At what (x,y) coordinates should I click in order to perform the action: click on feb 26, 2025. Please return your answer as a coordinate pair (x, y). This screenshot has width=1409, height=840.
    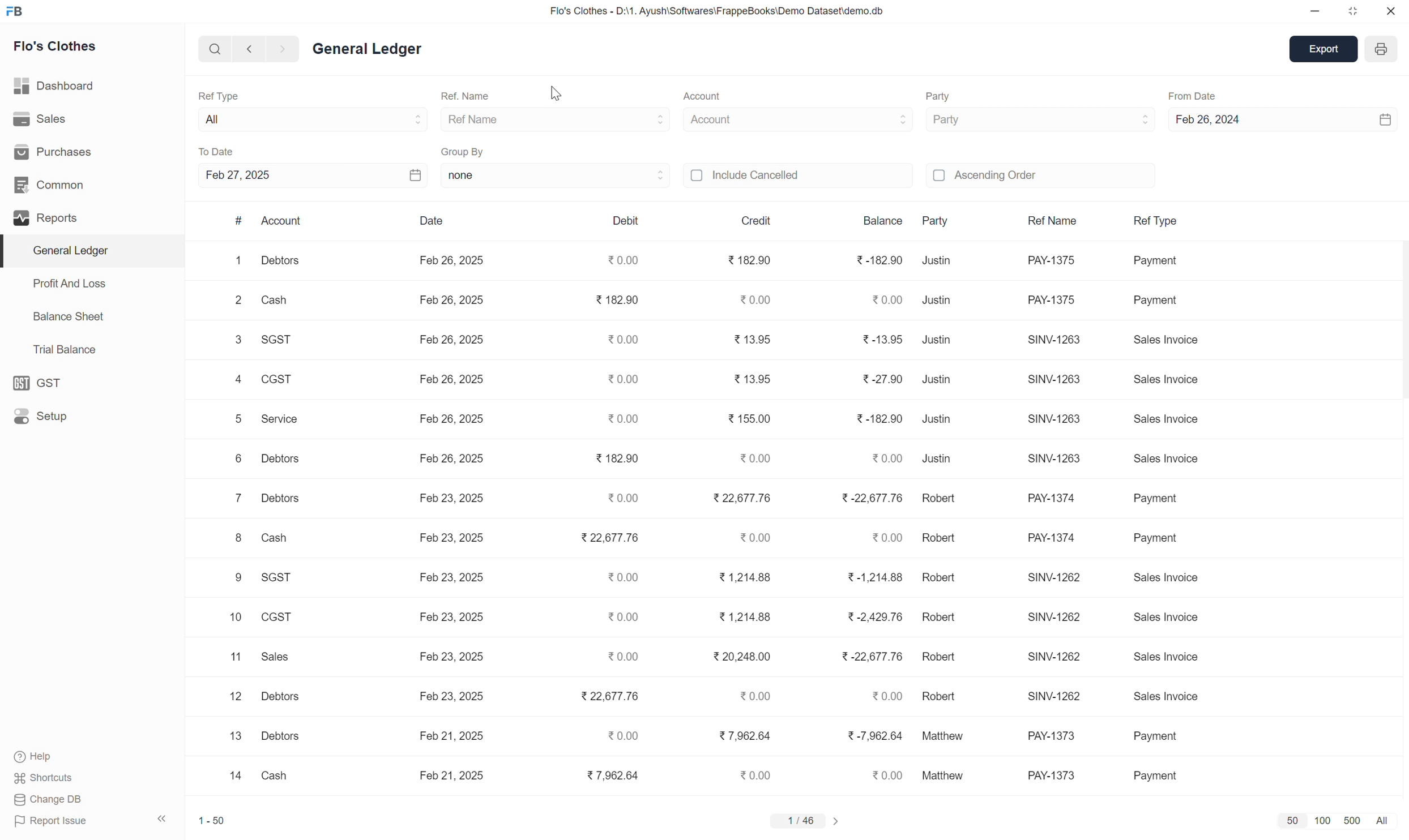
    Looking at the image, I should click on (454, 378).